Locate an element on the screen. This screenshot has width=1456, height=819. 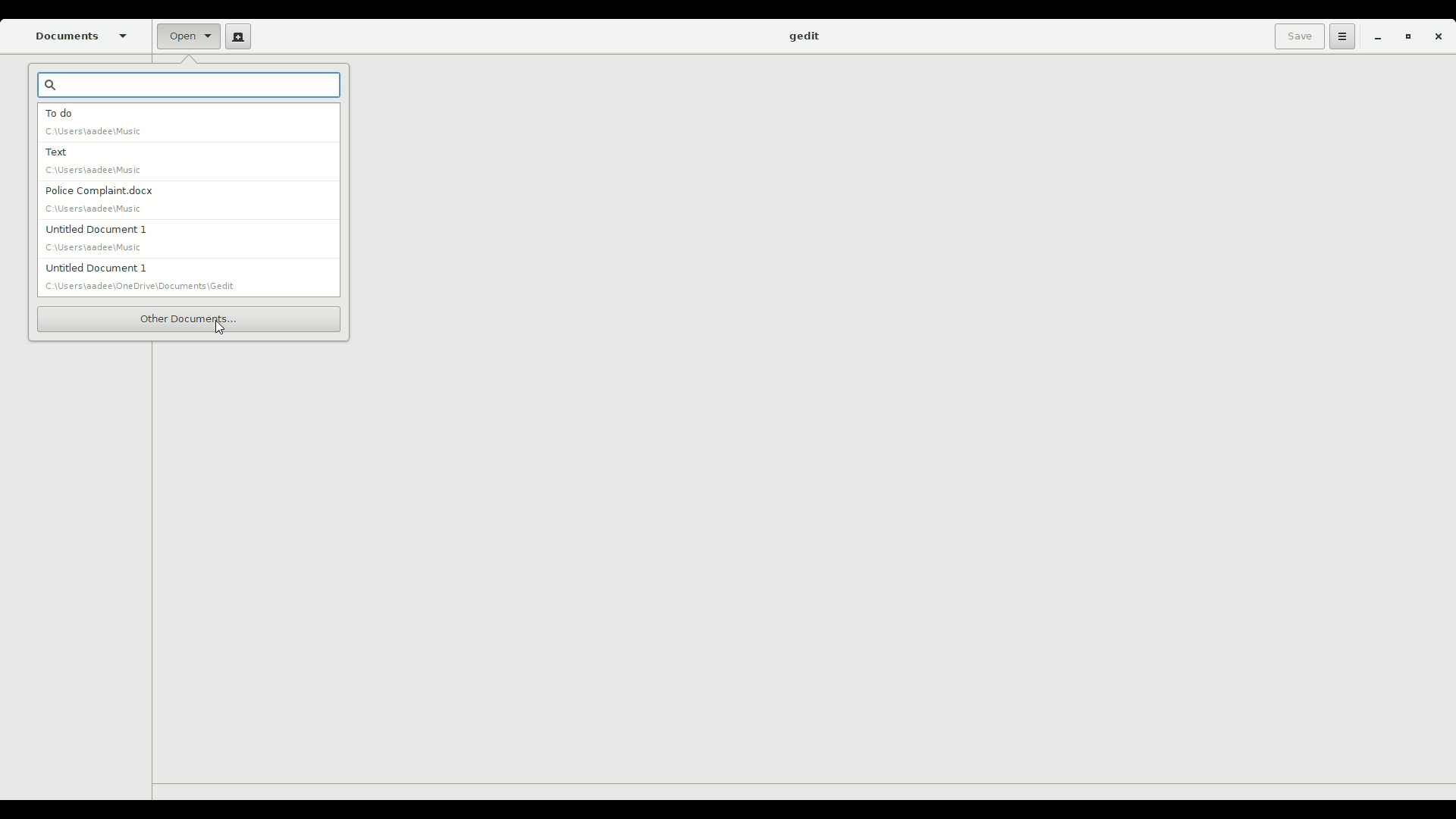
Search bar is located at coordinates (190, 87).